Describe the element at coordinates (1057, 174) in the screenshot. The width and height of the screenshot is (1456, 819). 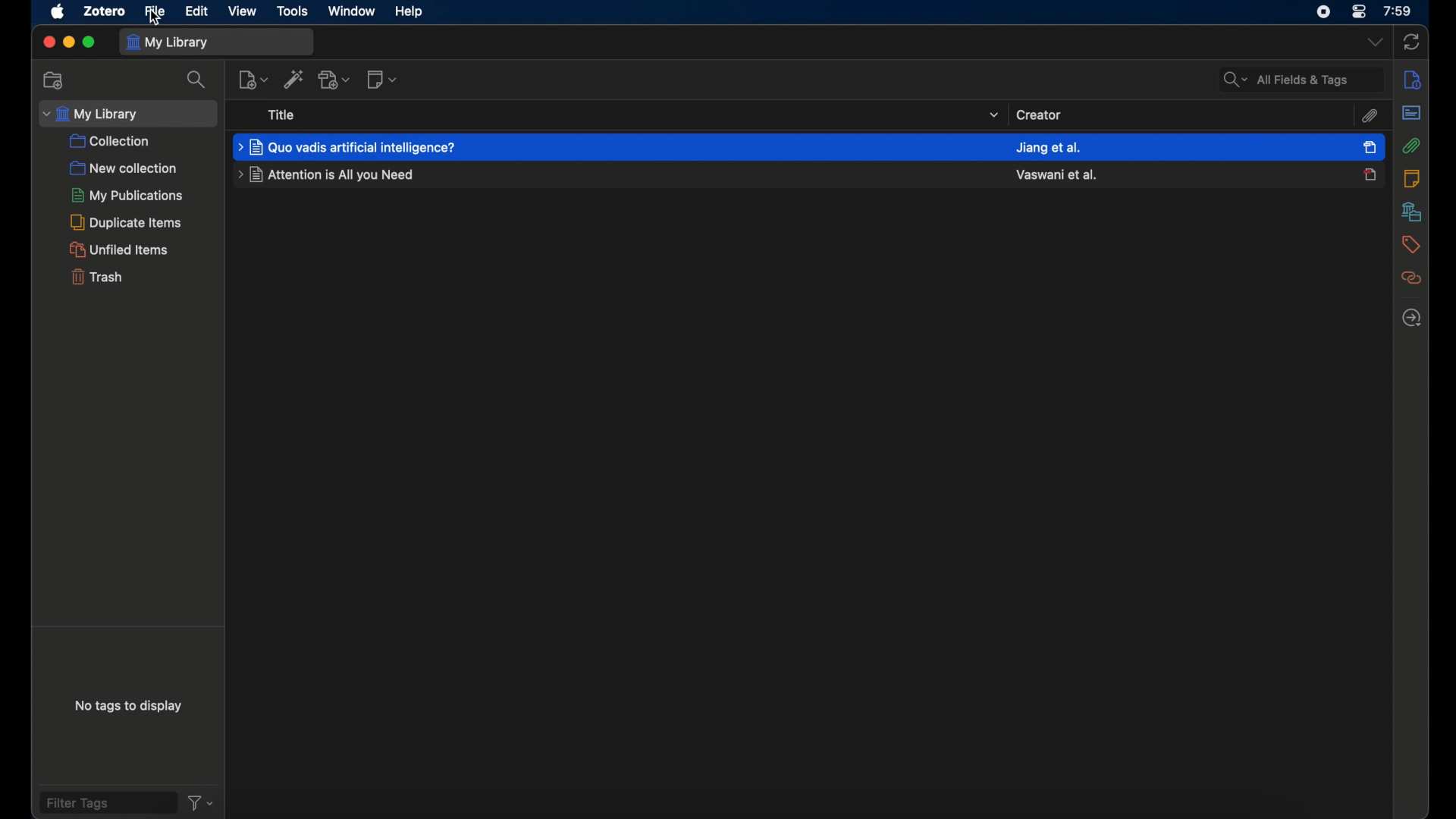
I see `creator name` at that location.